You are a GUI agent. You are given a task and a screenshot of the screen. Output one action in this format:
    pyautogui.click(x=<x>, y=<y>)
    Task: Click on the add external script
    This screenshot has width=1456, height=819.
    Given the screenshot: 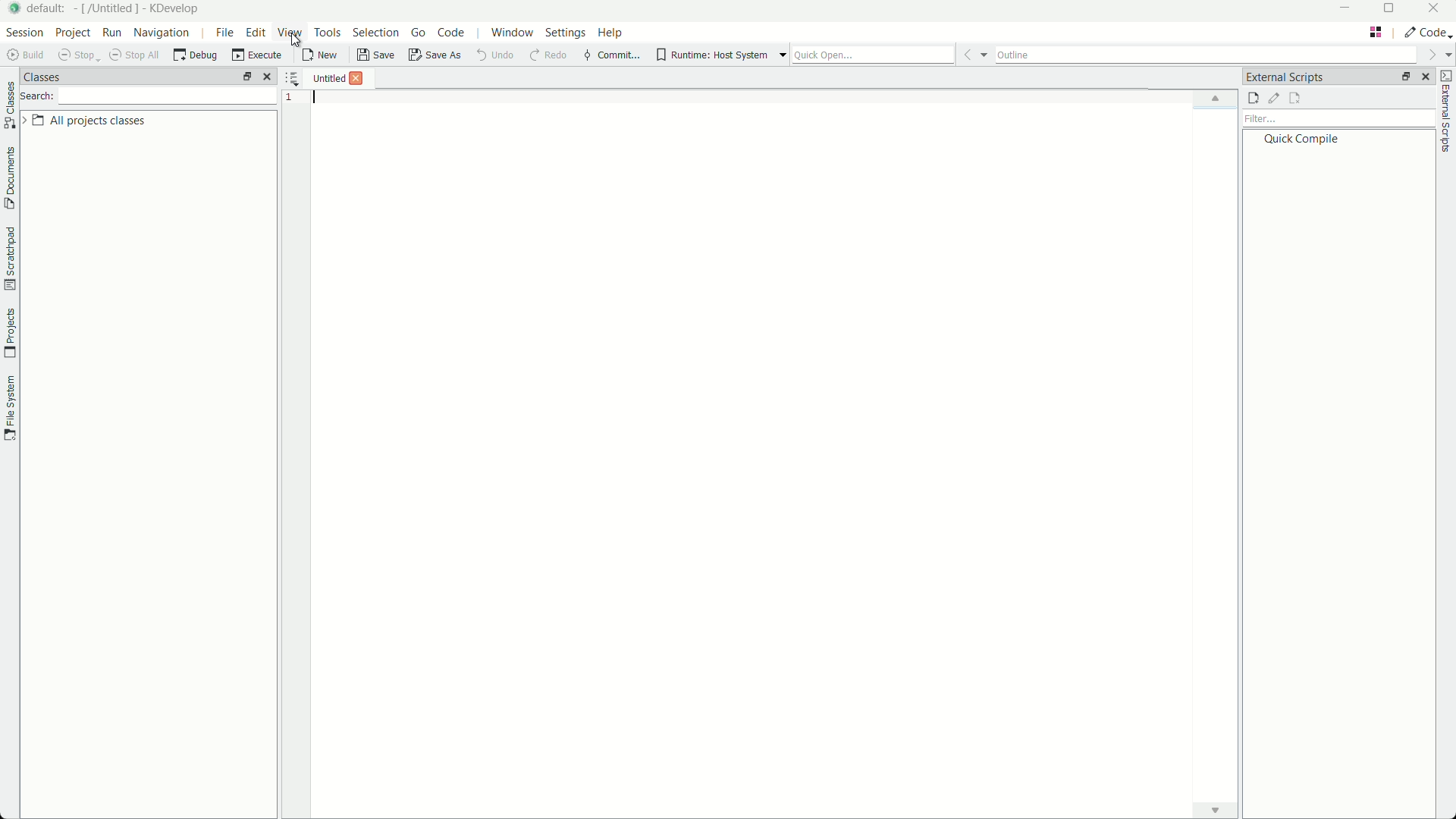 What is the action you would take?
    pyautogui.click(x=1253, y=99)
    